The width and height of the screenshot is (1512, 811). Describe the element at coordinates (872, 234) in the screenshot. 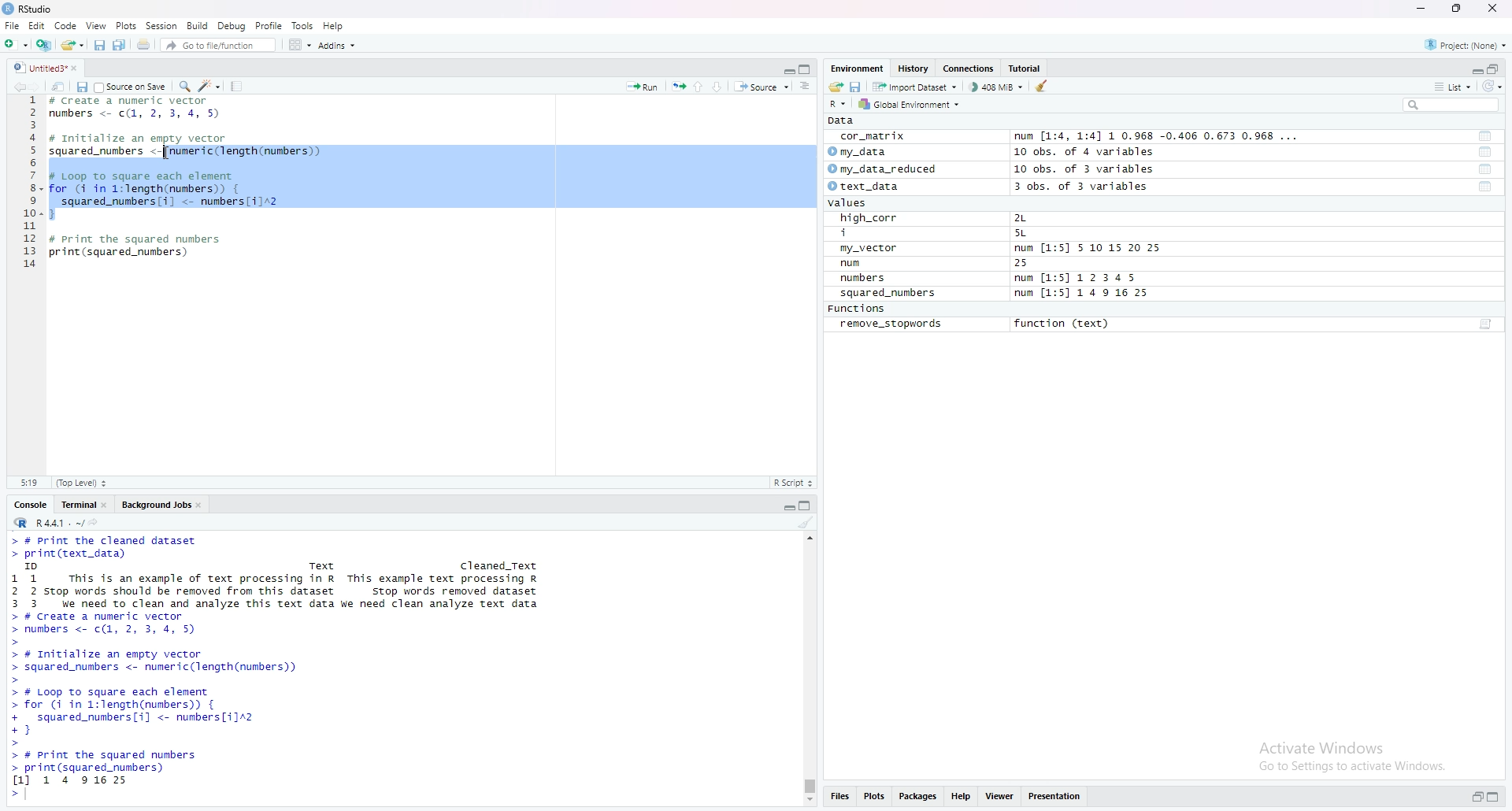

I see `i` at that location.